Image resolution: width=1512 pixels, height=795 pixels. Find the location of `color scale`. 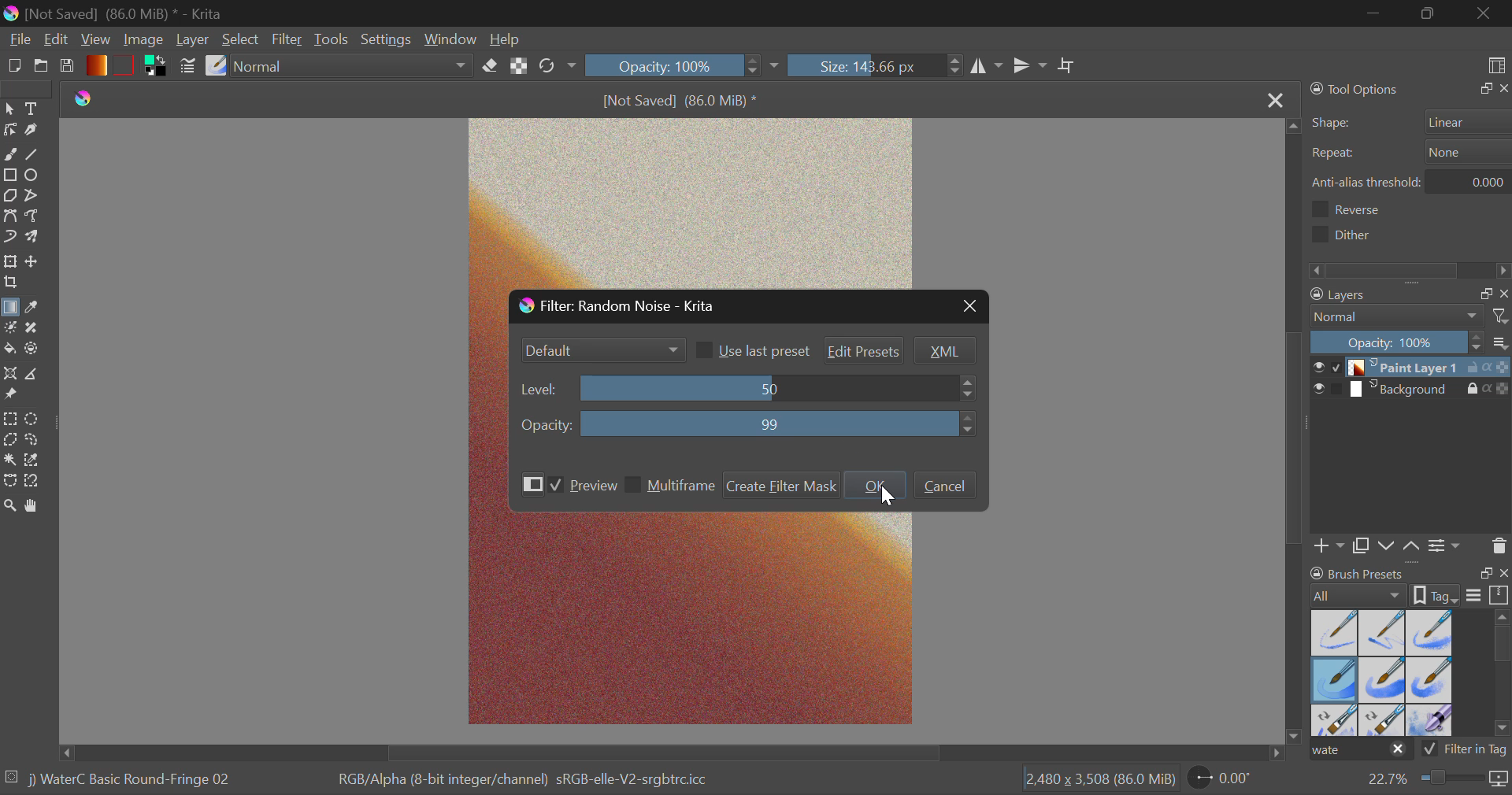

color scale is located at coordinates (1503, 391).